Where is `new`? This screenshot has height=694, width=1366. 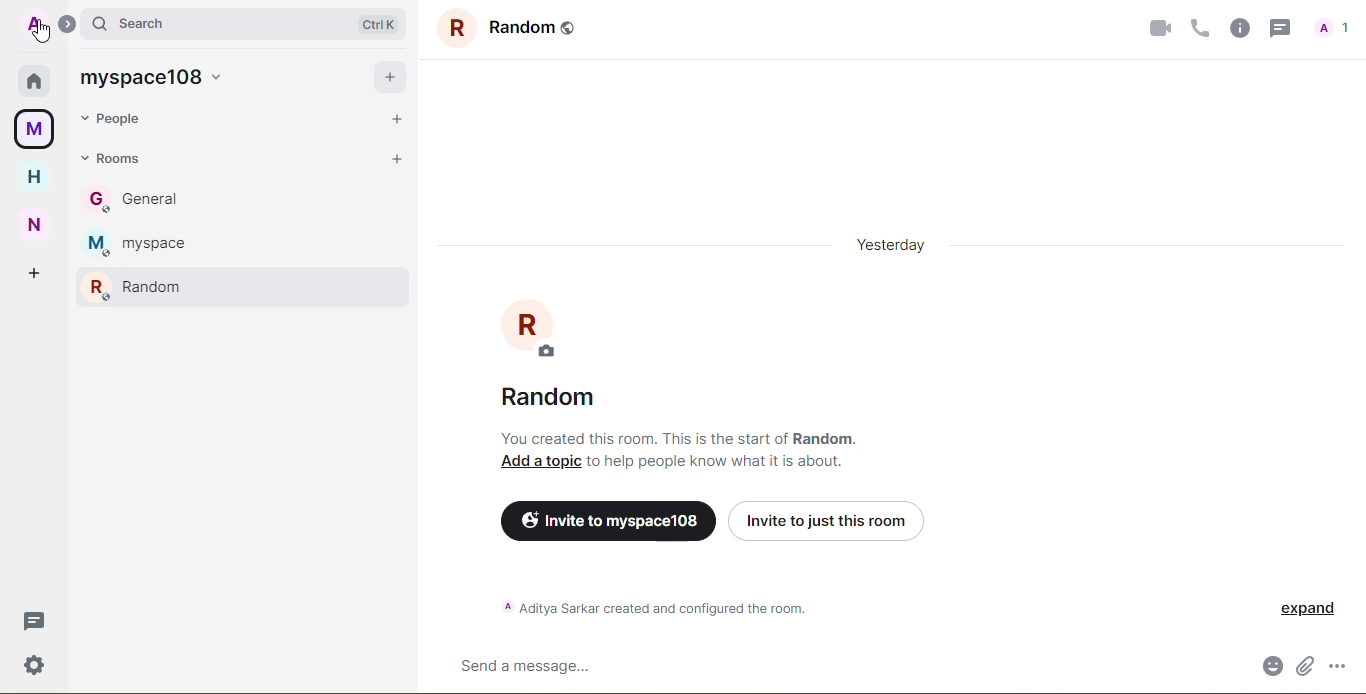
new is located at coordinates (36, 223).